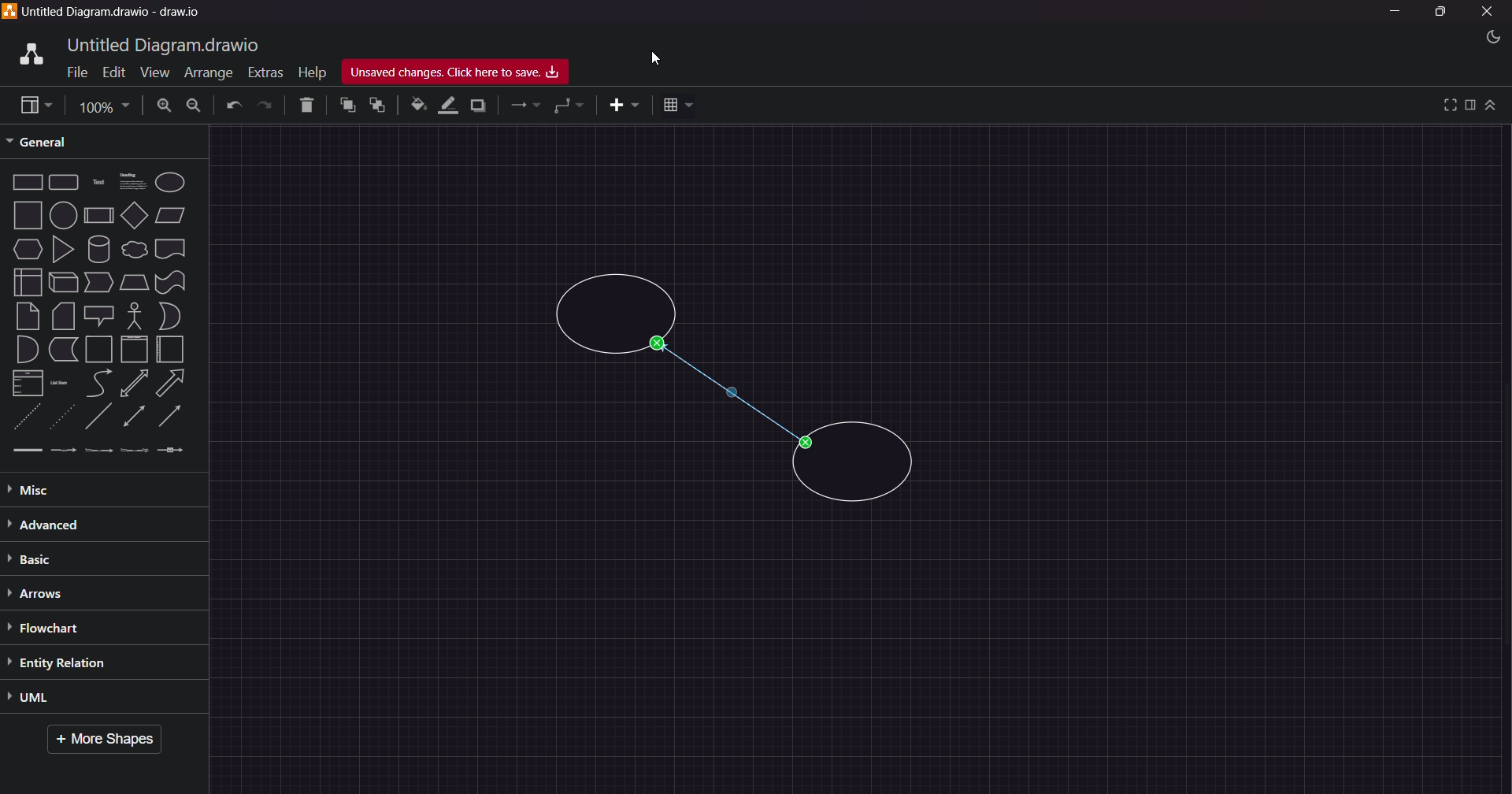 This screenshot has height=794, width=1512. What do you see at coordinates (570, 107) in the screenshot?
I see `waypoints` at bounding box center [570, 107].